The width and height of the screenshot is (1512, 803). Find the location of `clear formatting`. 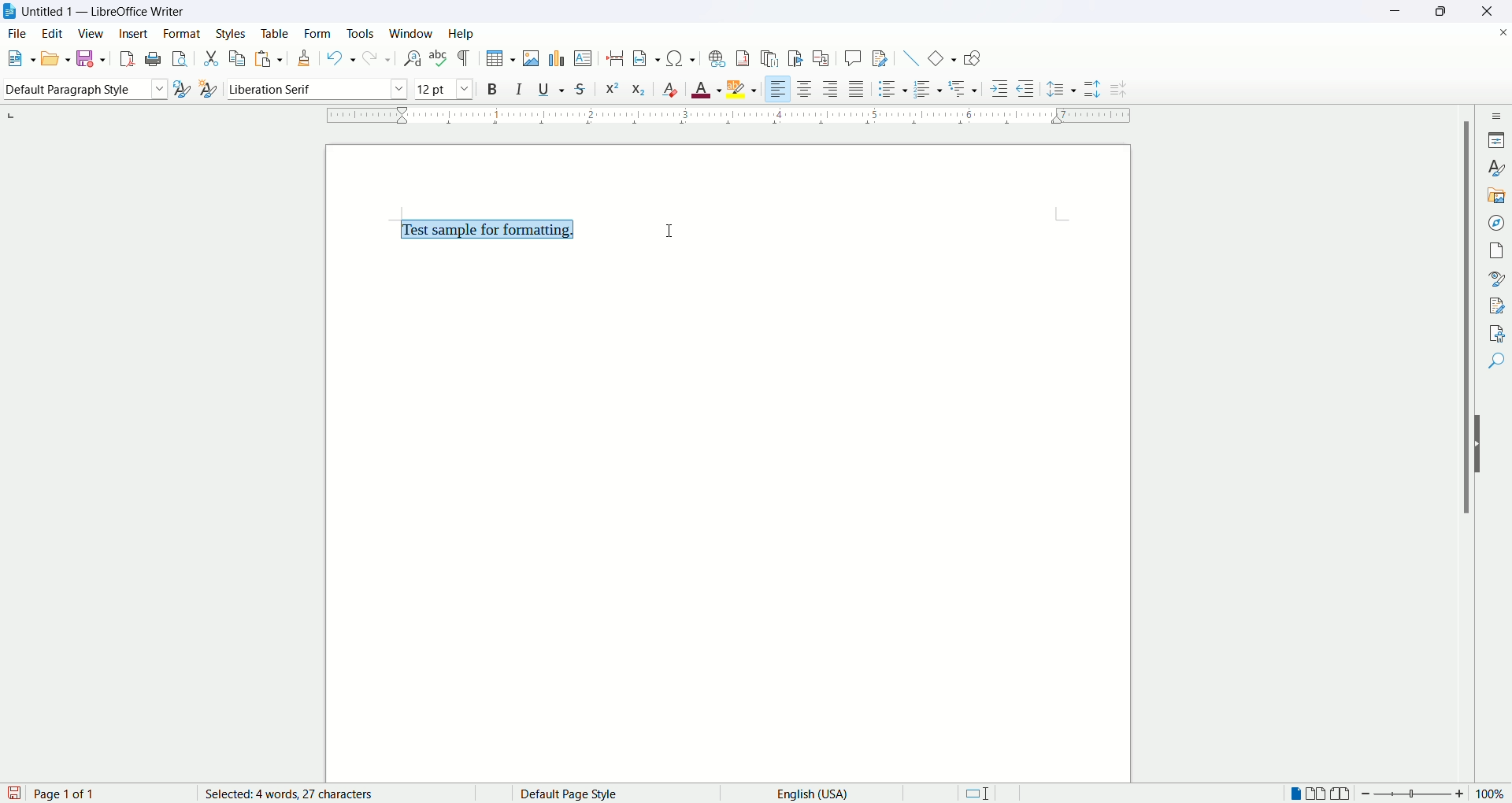

clear formatting is located at coordinates (673, 90).